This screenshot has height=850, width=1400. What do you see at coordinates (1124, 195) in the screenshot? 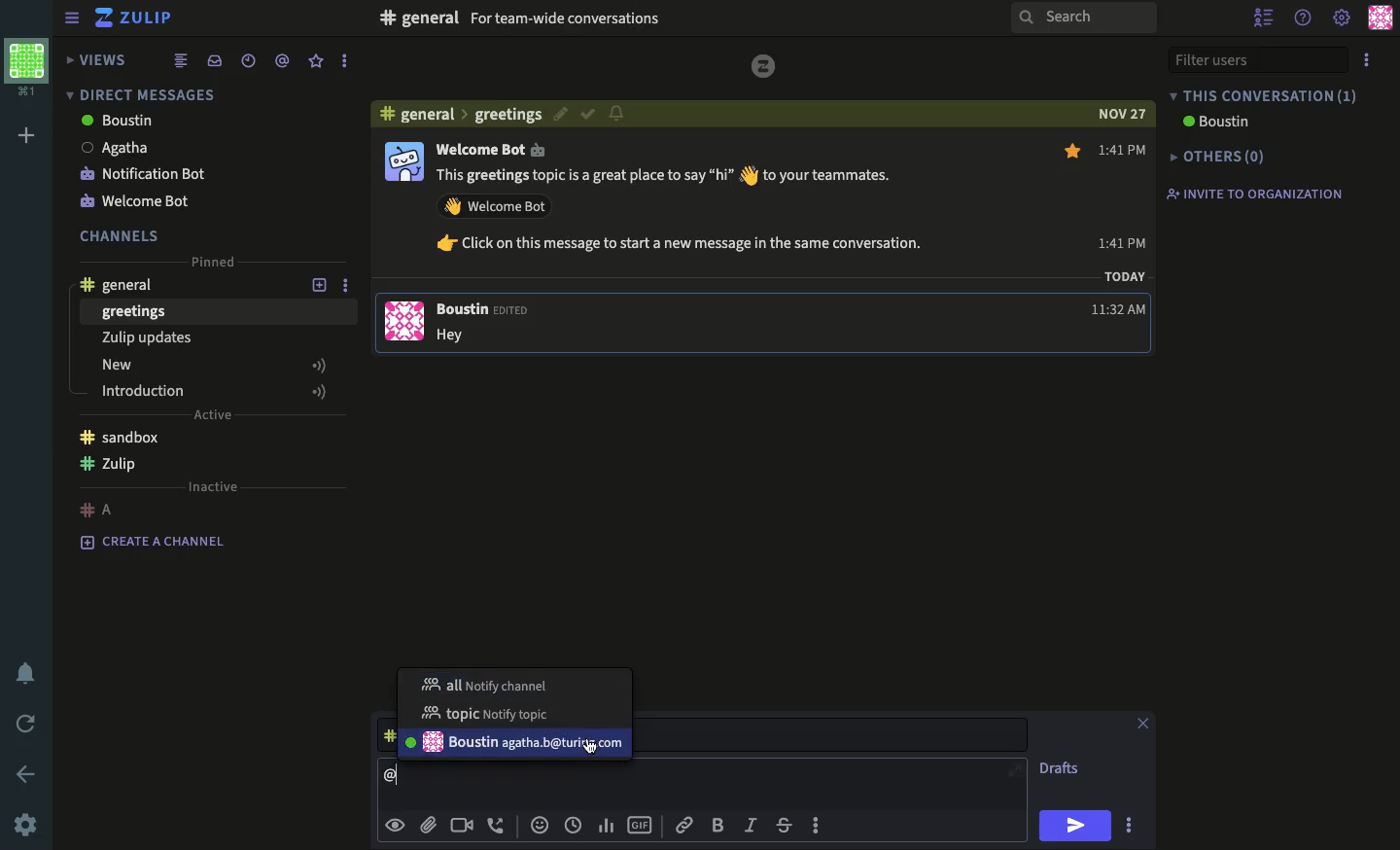
I see `1:41 PM` at bounding box center [1124, 195].